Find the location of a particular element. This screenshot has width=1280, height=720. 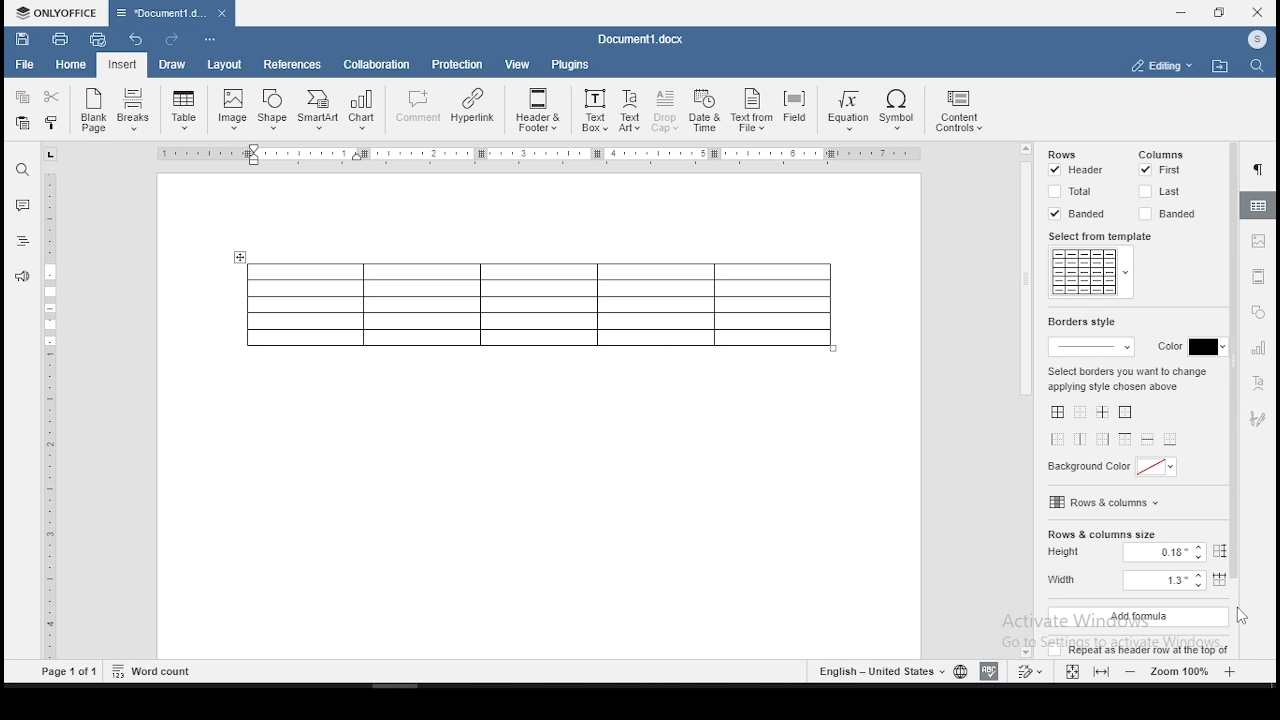

fit to window is located at coordinates (1071, 671).